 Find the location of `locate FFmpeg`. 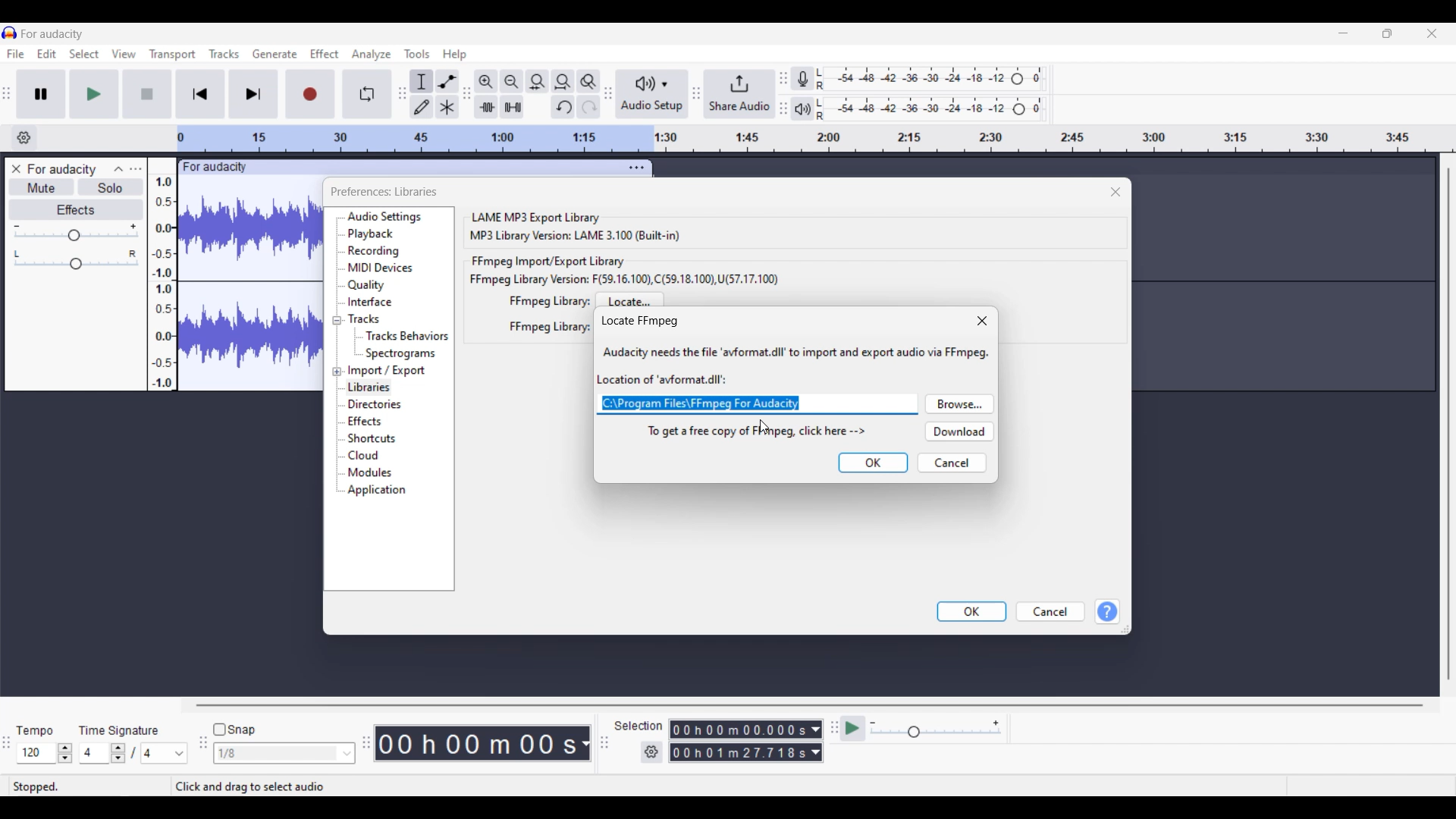

locate FFmpeg is located at coordinates (639, 321).